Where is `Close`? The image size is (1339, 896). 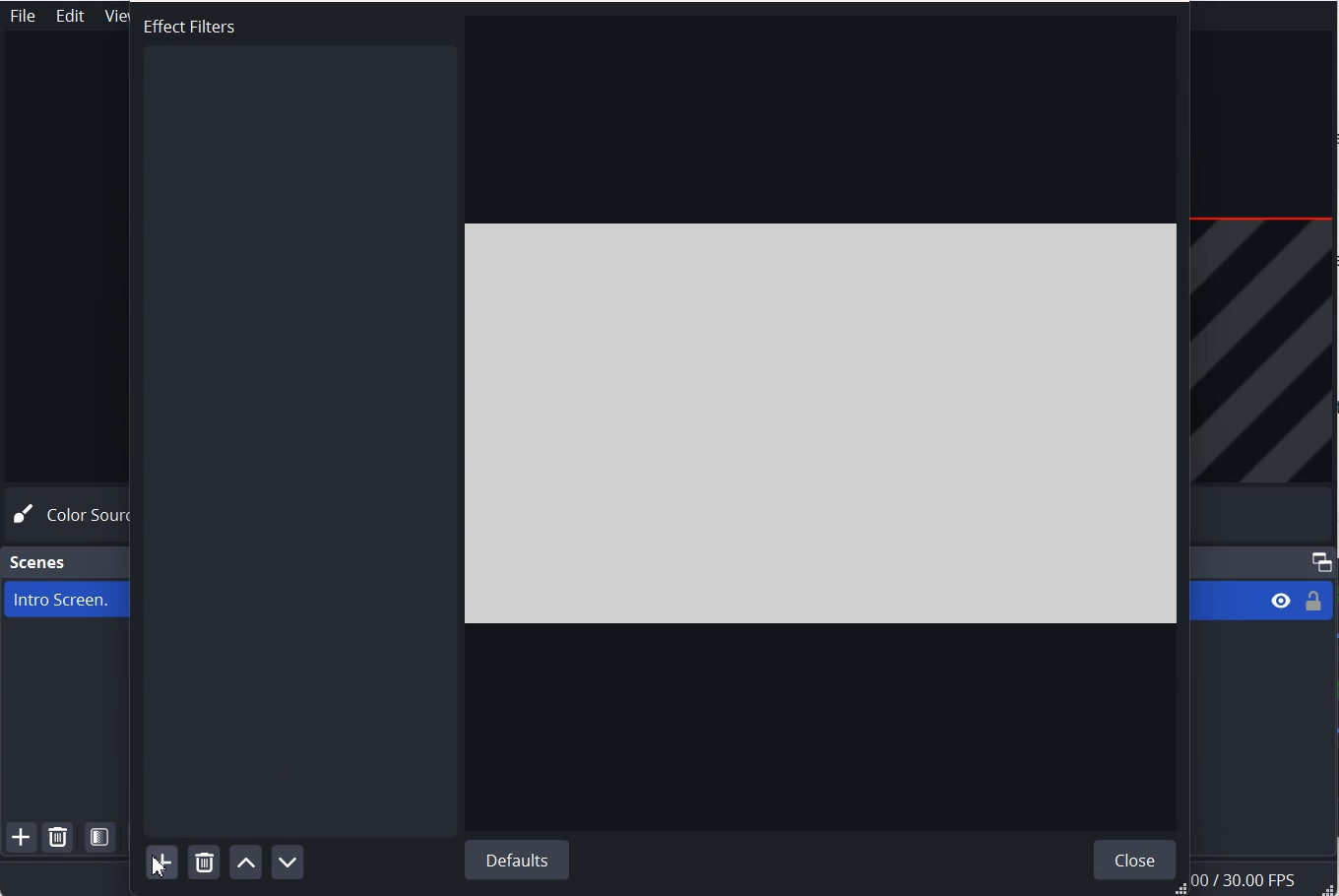 Close is located at coordinates (1132, 859).